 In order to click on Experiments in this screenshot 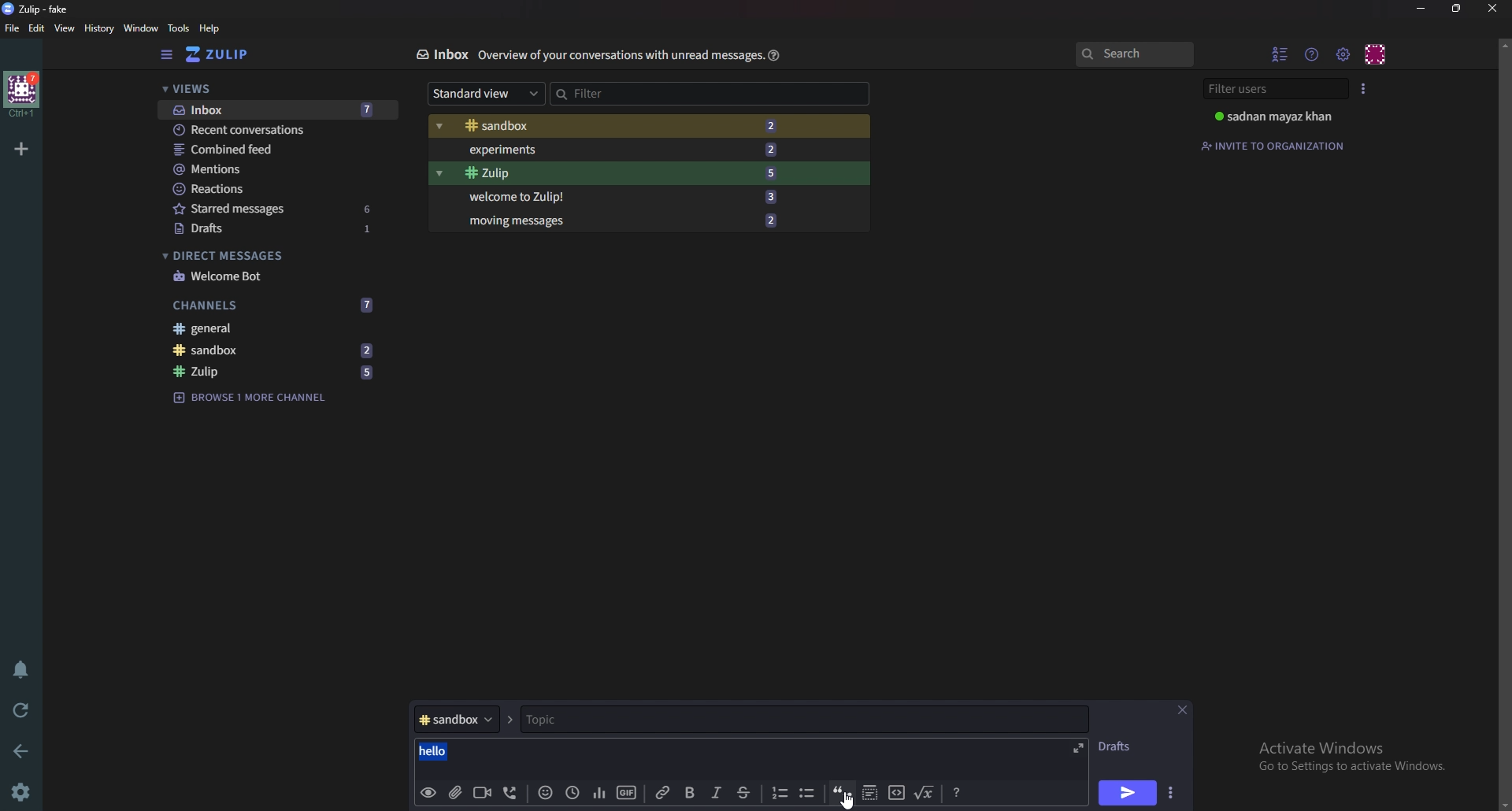, I will do `click(553, 150)`.